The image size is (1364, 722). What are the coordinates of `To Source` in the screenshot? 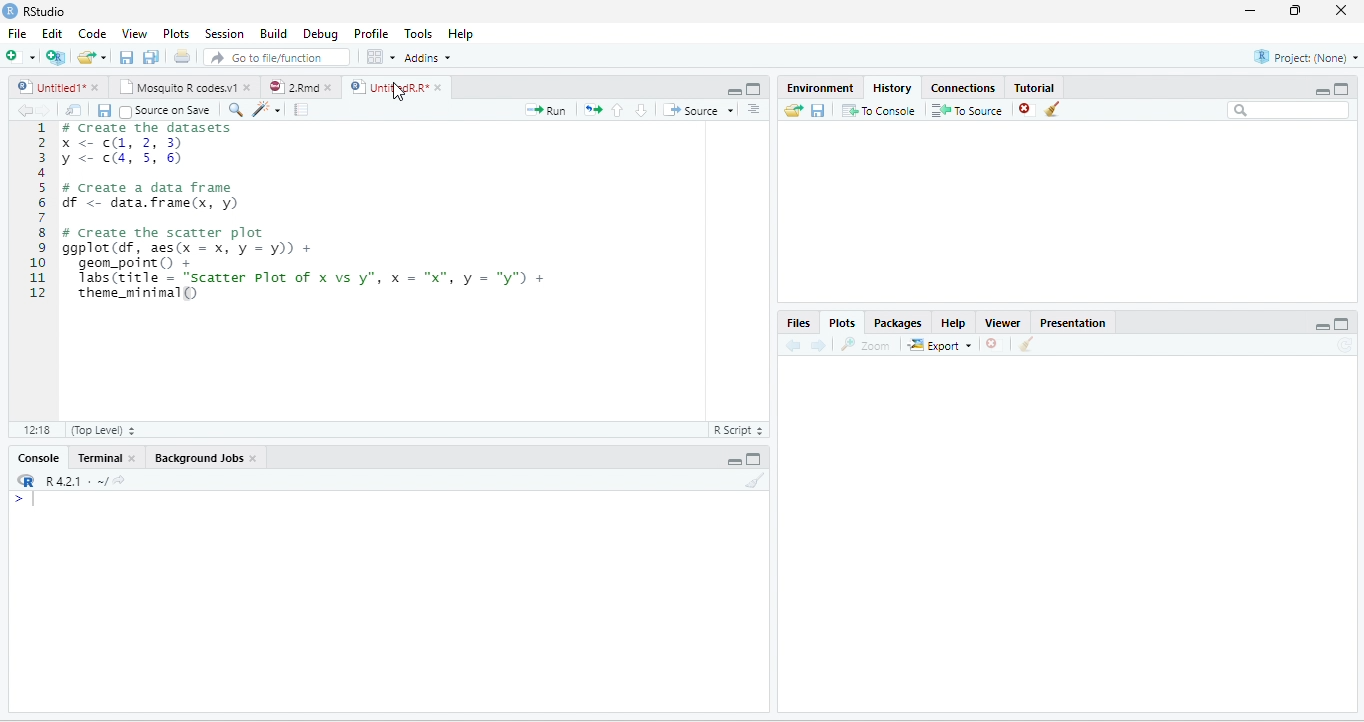 It's located at (968, 111).